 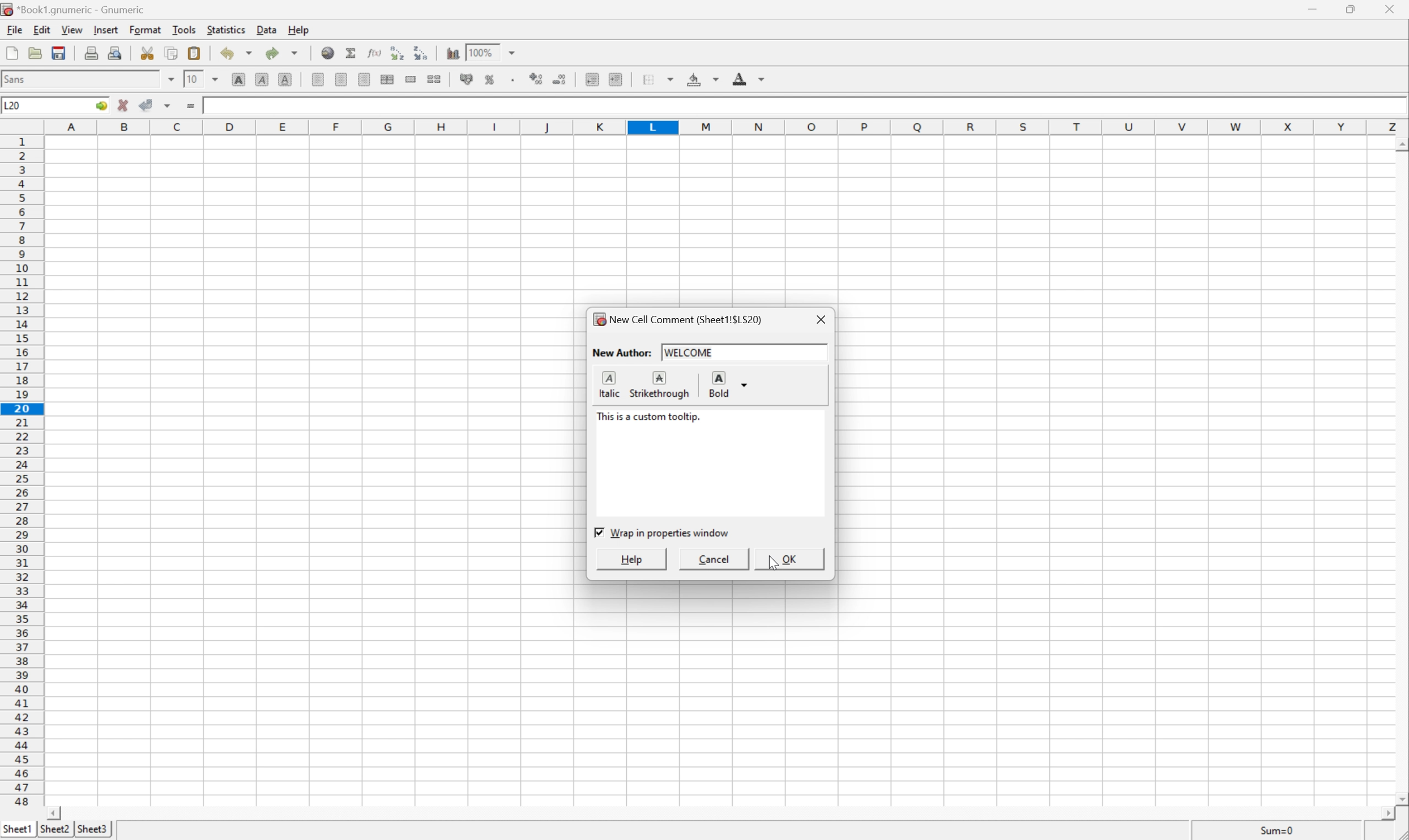 I want to click on New Author:, so click(x=620, y=353).